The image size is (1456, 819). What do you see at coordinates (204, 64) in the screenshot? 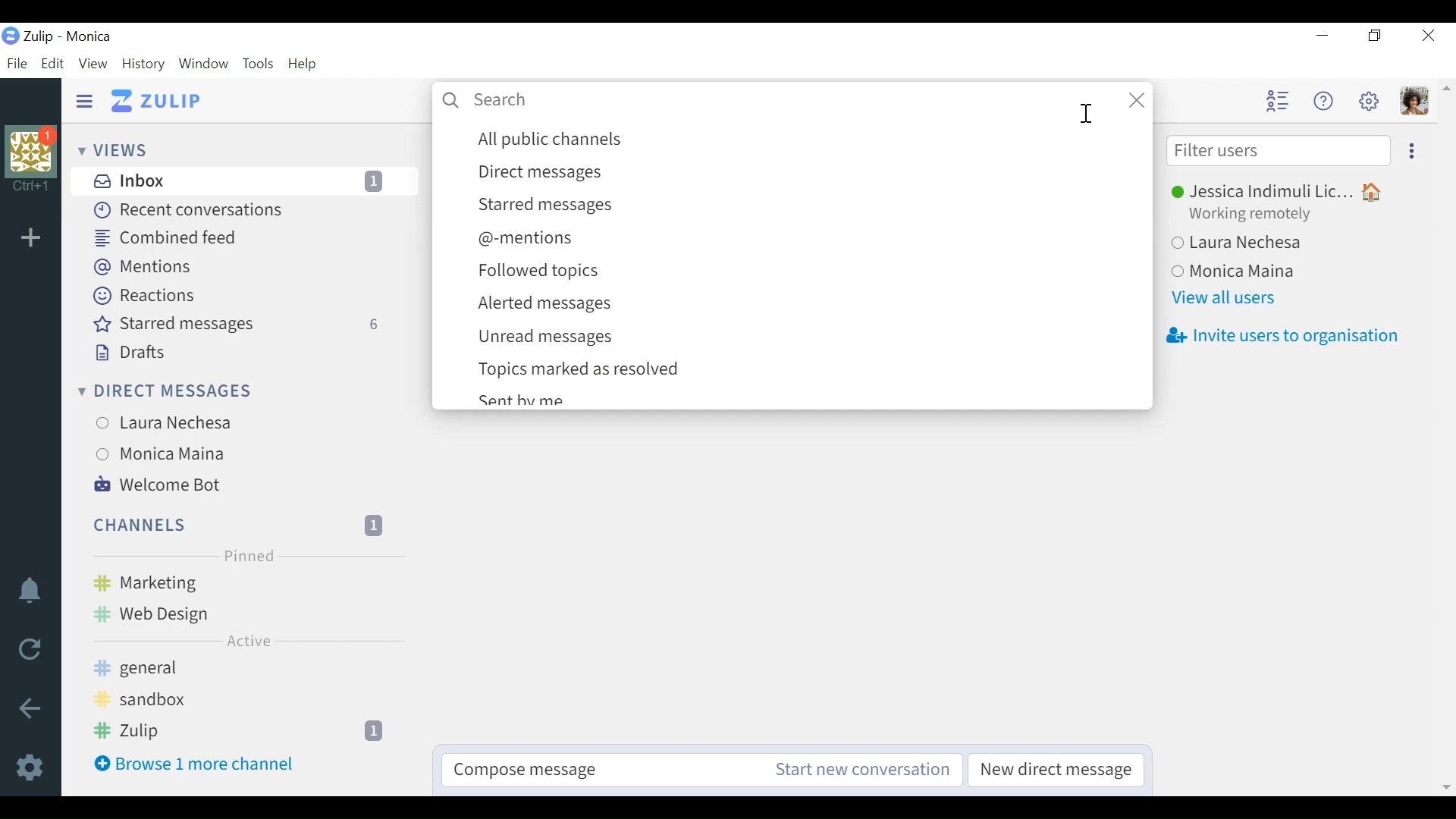
I see `Window` at bounding box center [204, 64].